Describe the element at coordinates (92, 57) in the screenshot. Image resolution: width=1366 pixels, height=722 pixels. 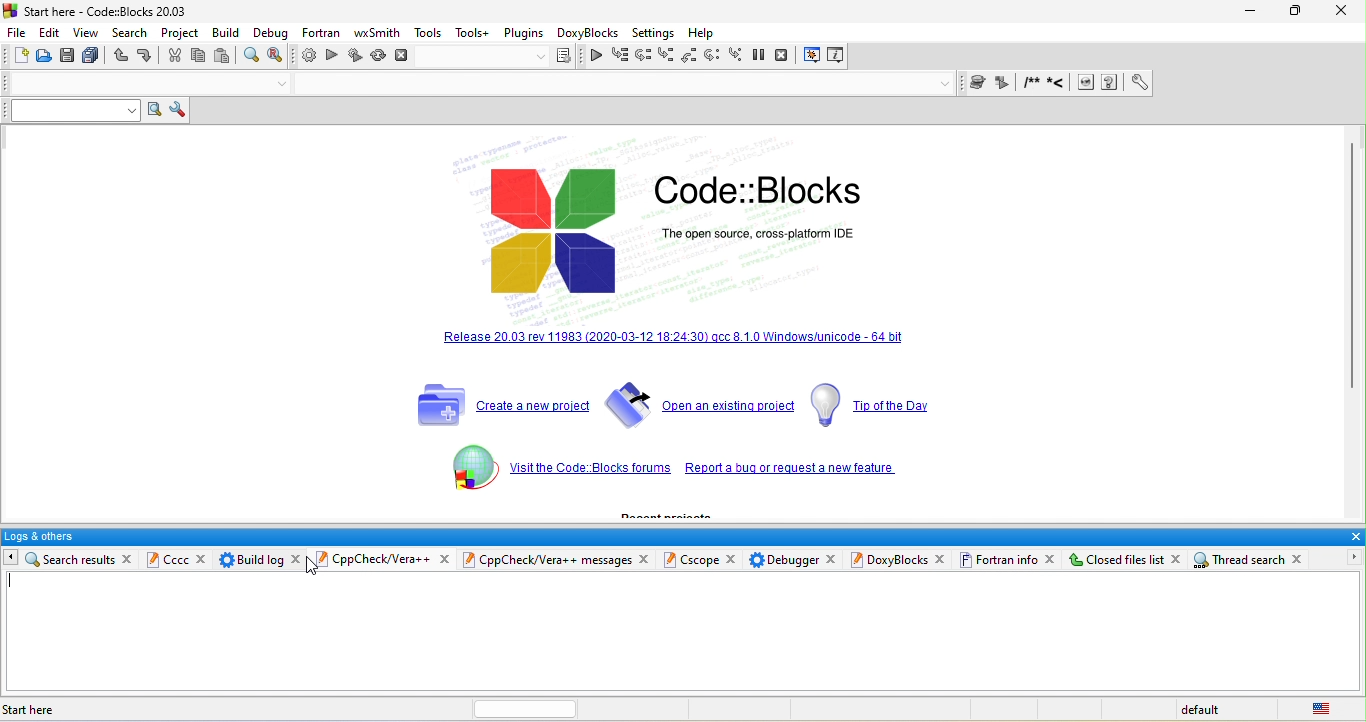
I see `save everything` at that location.